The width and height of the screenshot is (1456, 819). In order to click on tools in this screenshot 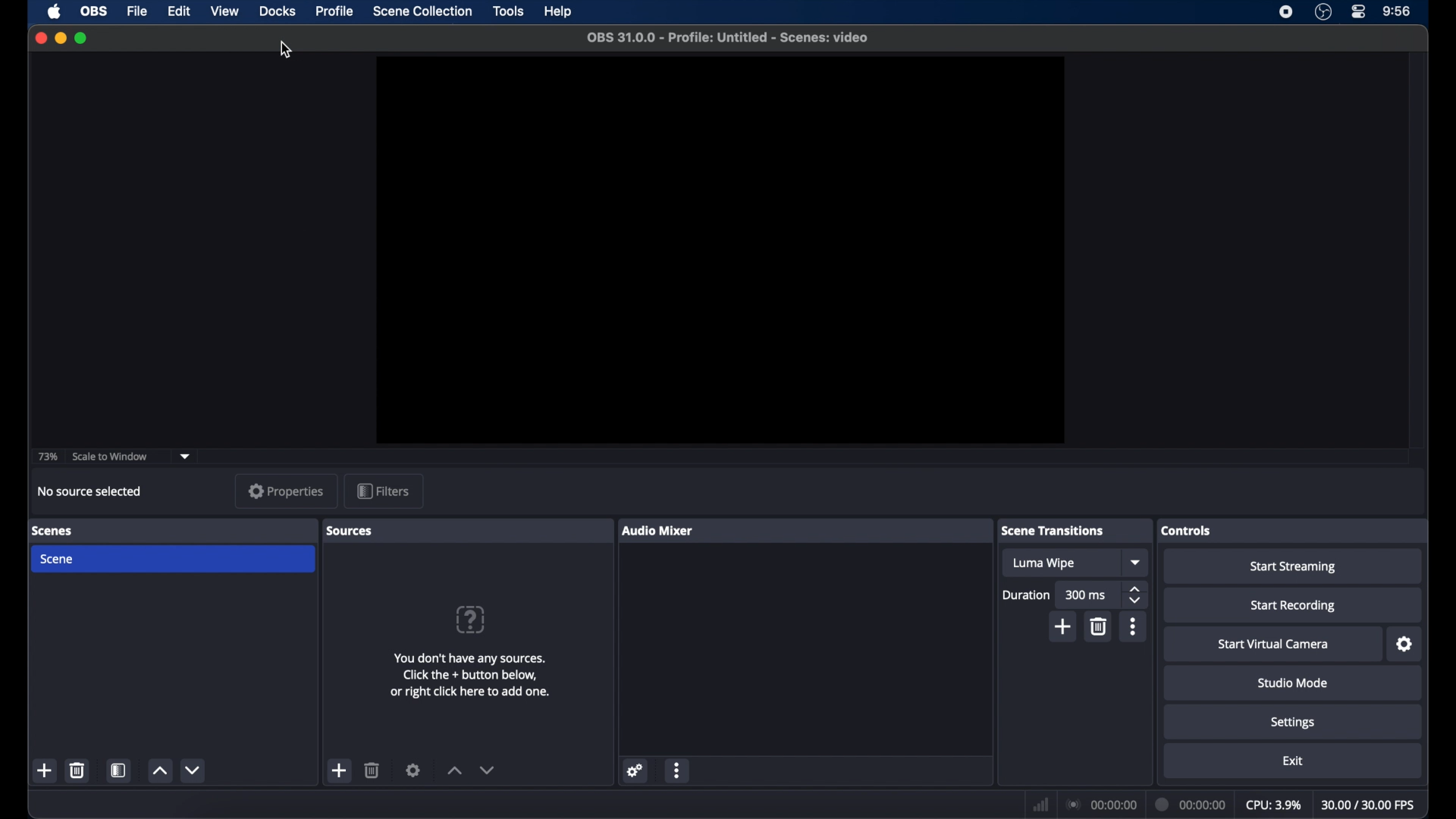, I will do `click(509, 11)`.